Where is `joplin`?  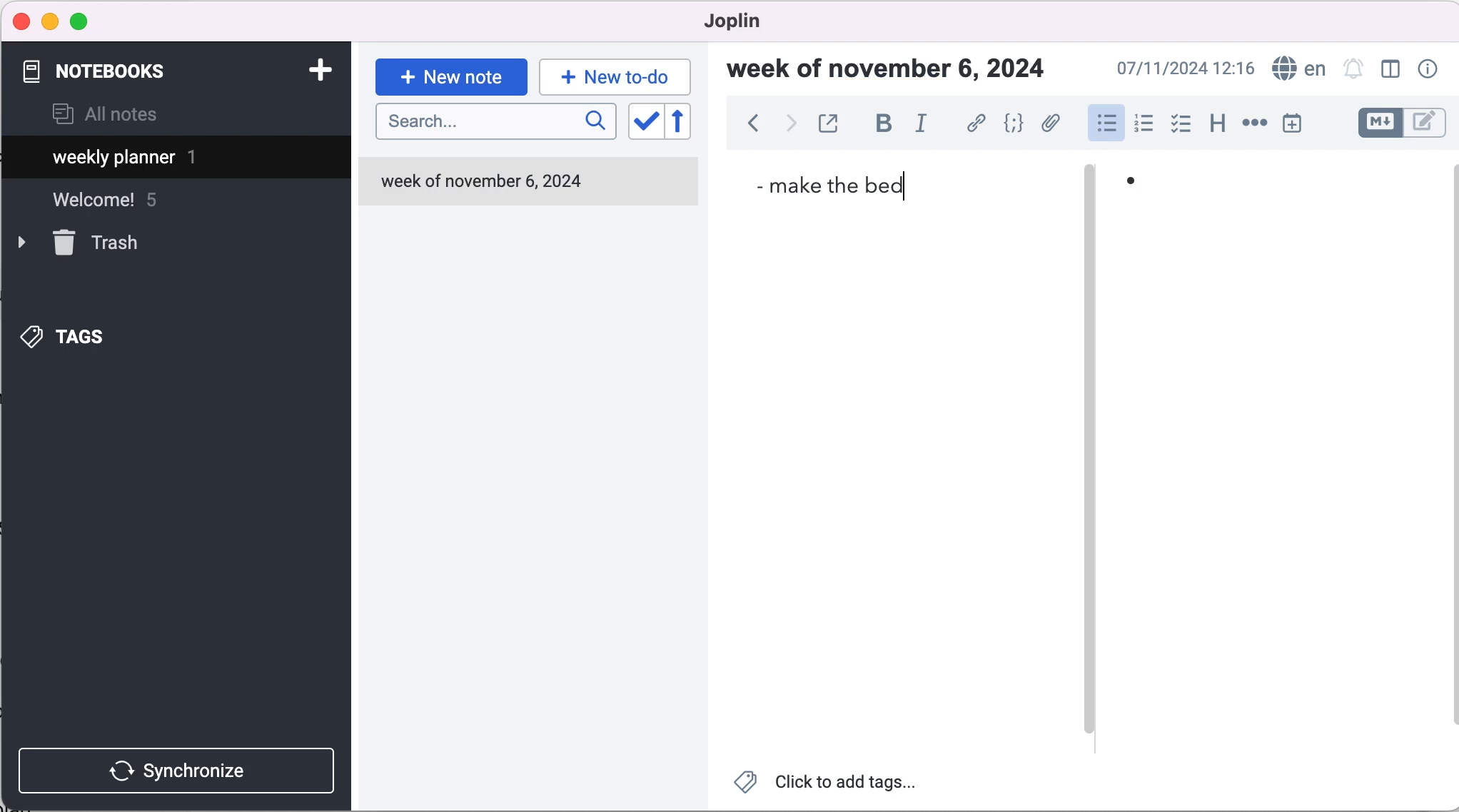 joplin is located at coordinates (754, 21).